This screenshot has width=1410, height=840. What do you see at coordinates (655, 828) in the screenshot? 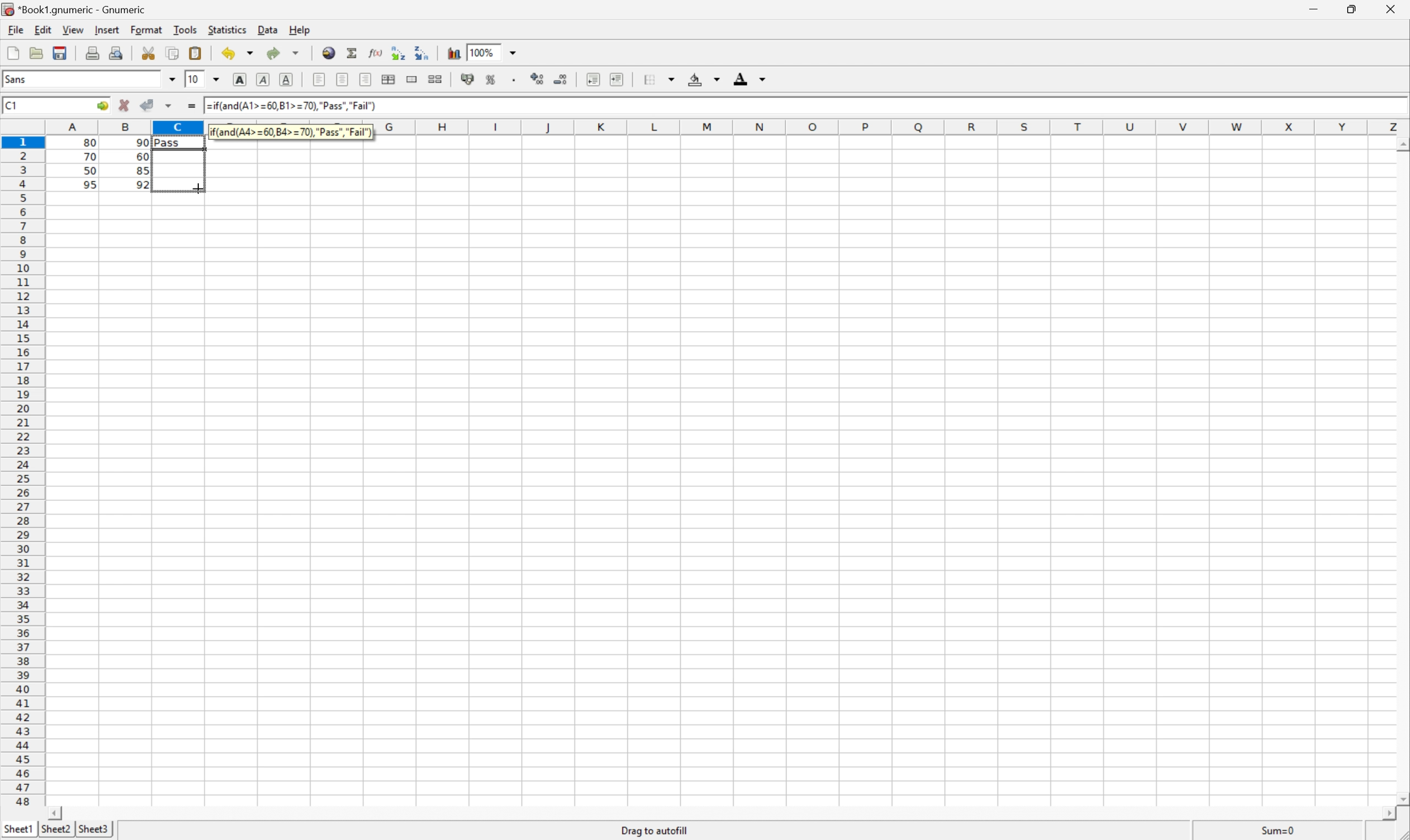
I see `Drag to autofill` at bounding box center [655, 828].